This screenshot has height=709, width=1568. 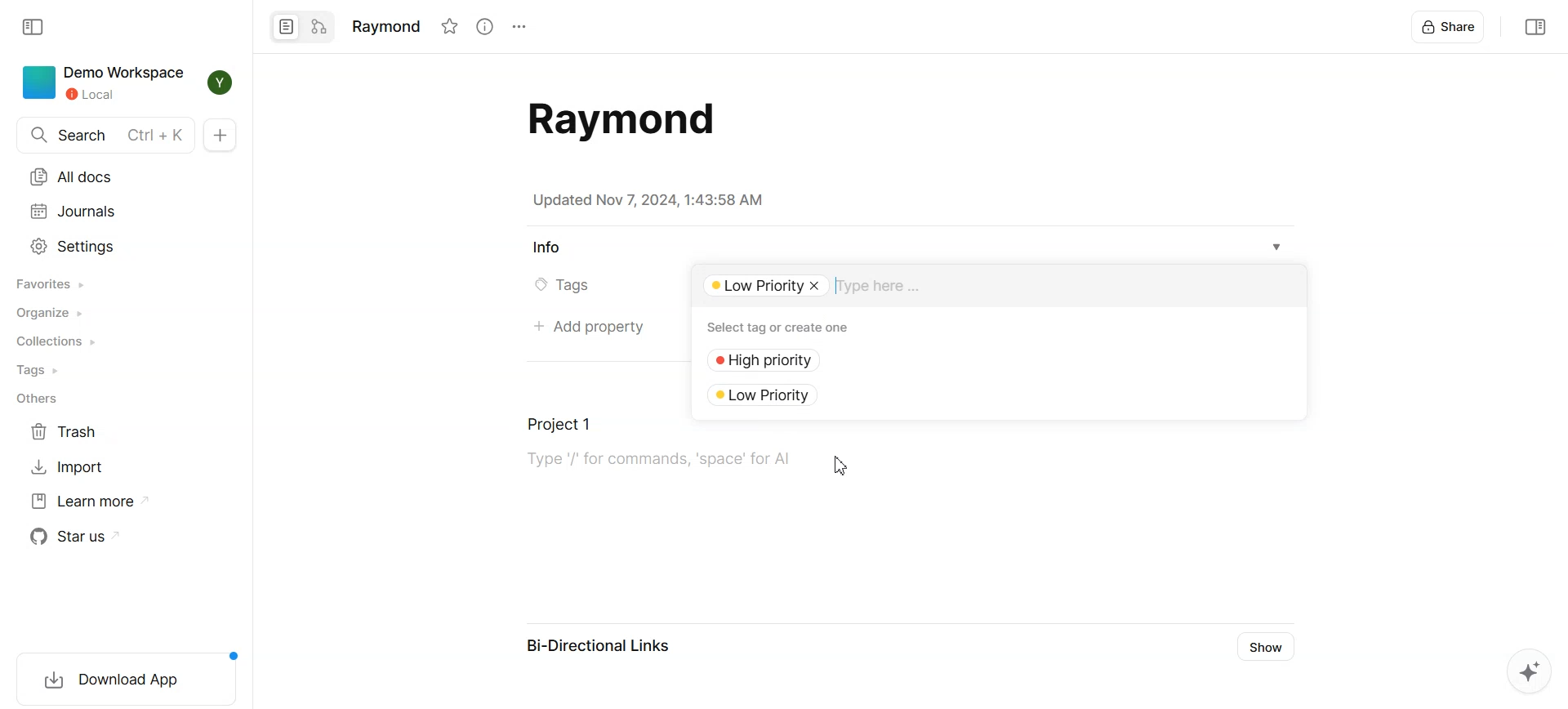 What do you see at coordinates (56, 341) in the screenshot?
I see `Collections` at bounding box center [56, 341].